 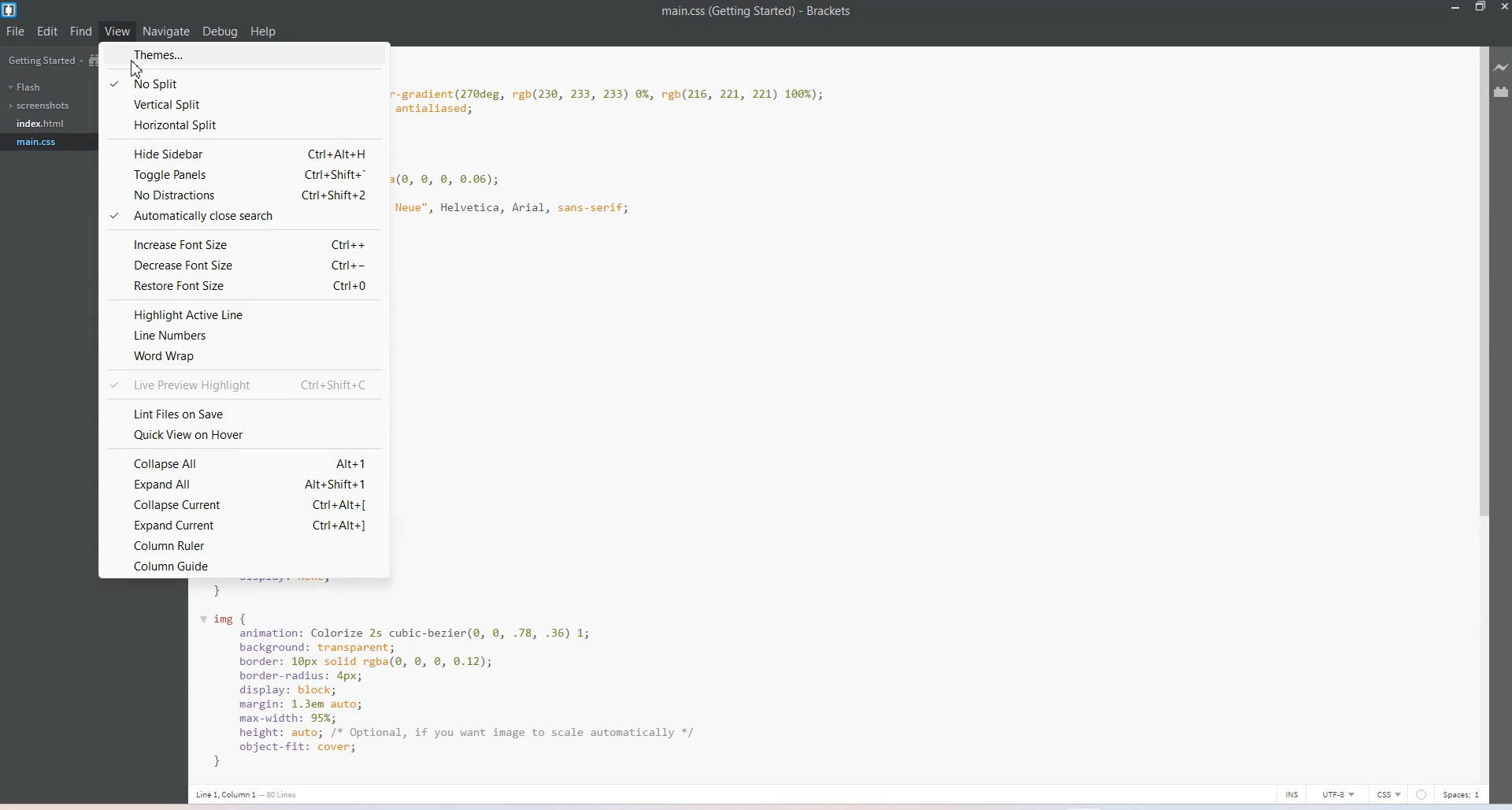 What do you see at coordinates (263, 31) in the screenshot?
I see `Help` at bounding box center [263, 31].